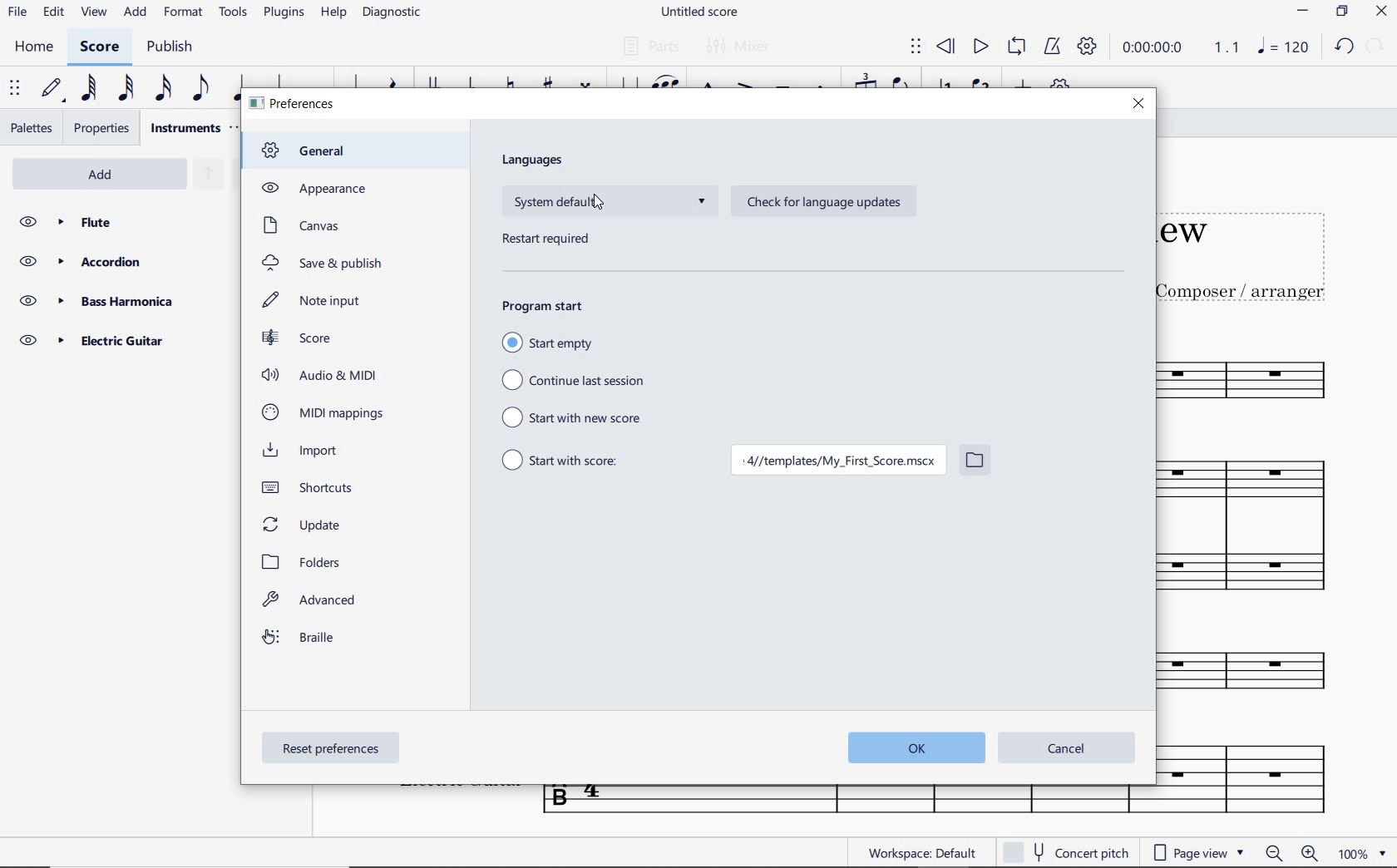 The image size is (1397, 868). What do you see at coordinates (17, 89) in the screenshot?
I see `select to move` at bounding box center [17, 89].